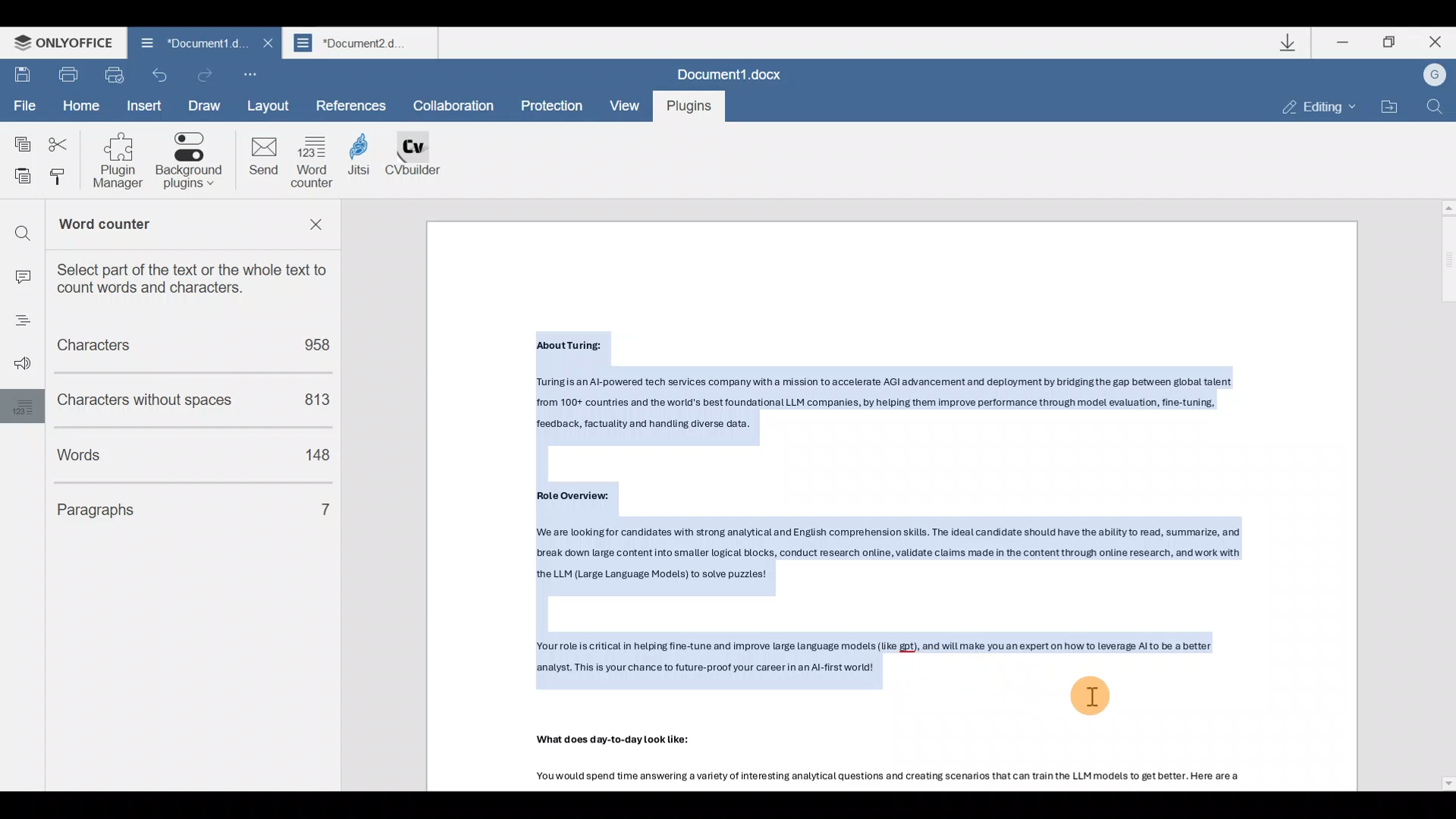 Image resolution: width=1456 pixels, height=819 pixels. What do you see at coordinates (551, 105) in the screenshot?
I see `Protection` at bounding box center [551, 105].